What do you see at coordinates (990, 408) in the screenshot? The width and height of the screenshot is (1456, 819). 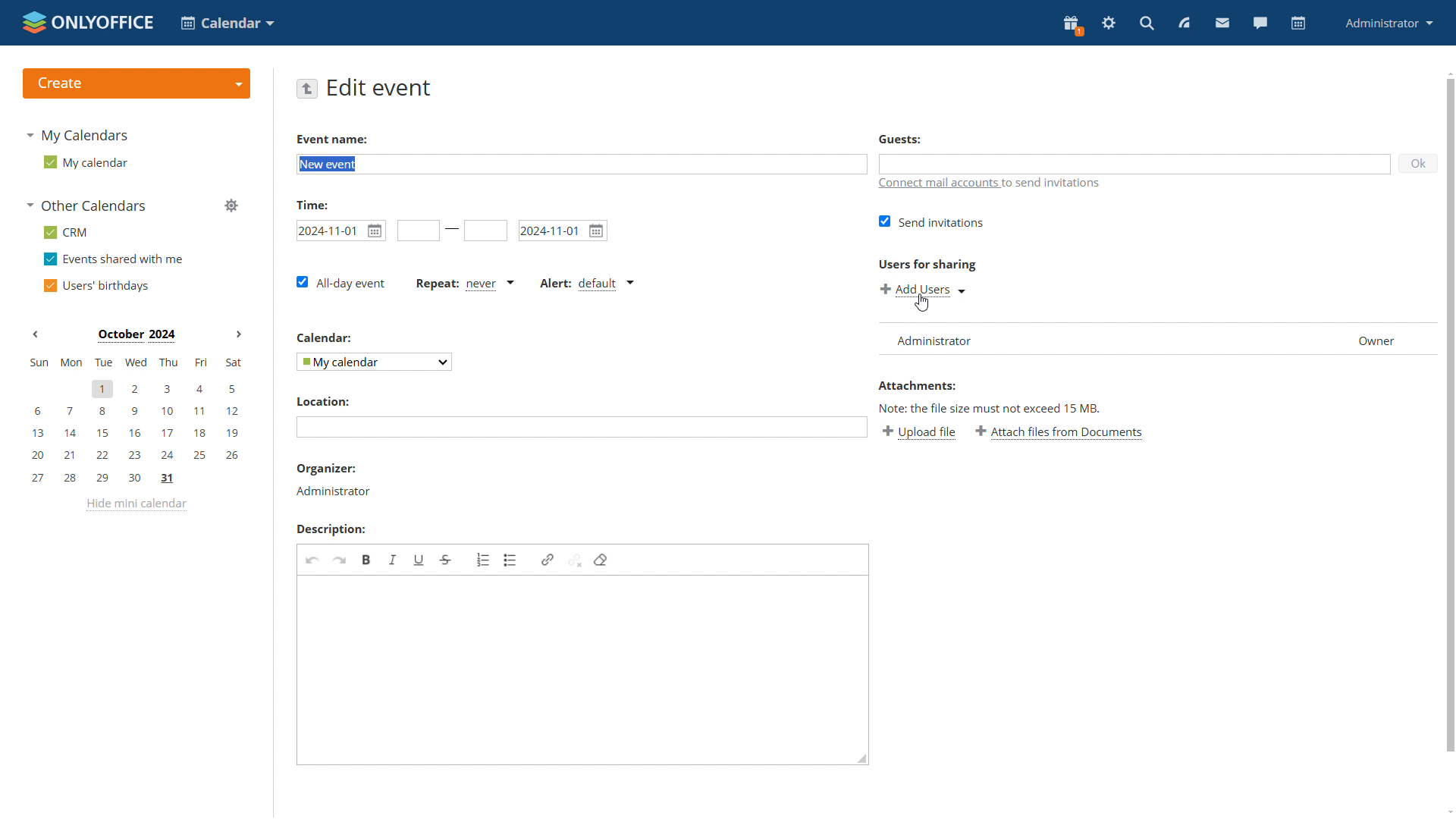 I see `Note: the file size must not exceed 15 mb` at bounding box center [990, 408].